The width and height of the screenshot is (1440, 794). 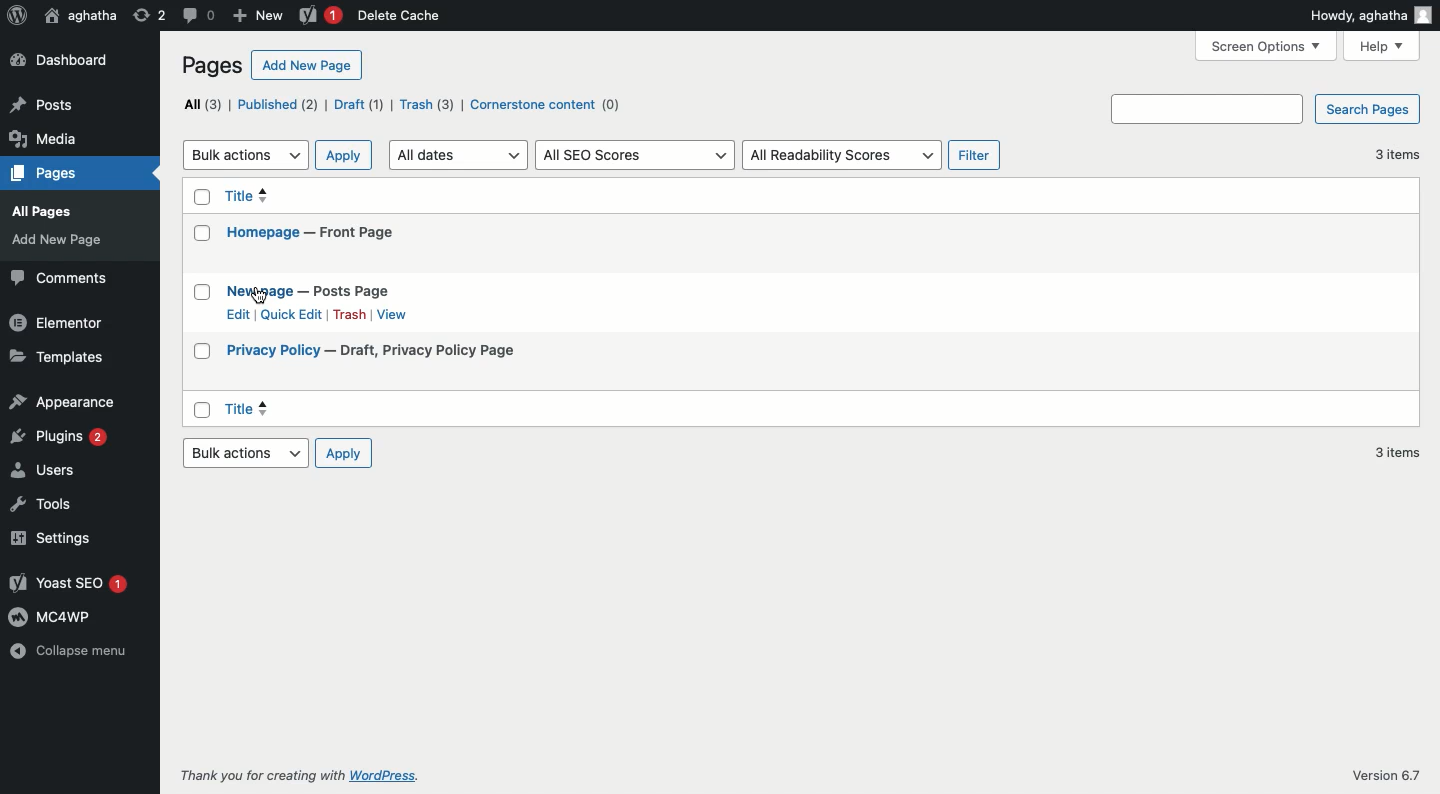 I want to click on Filter, so click(x=974, y=155).